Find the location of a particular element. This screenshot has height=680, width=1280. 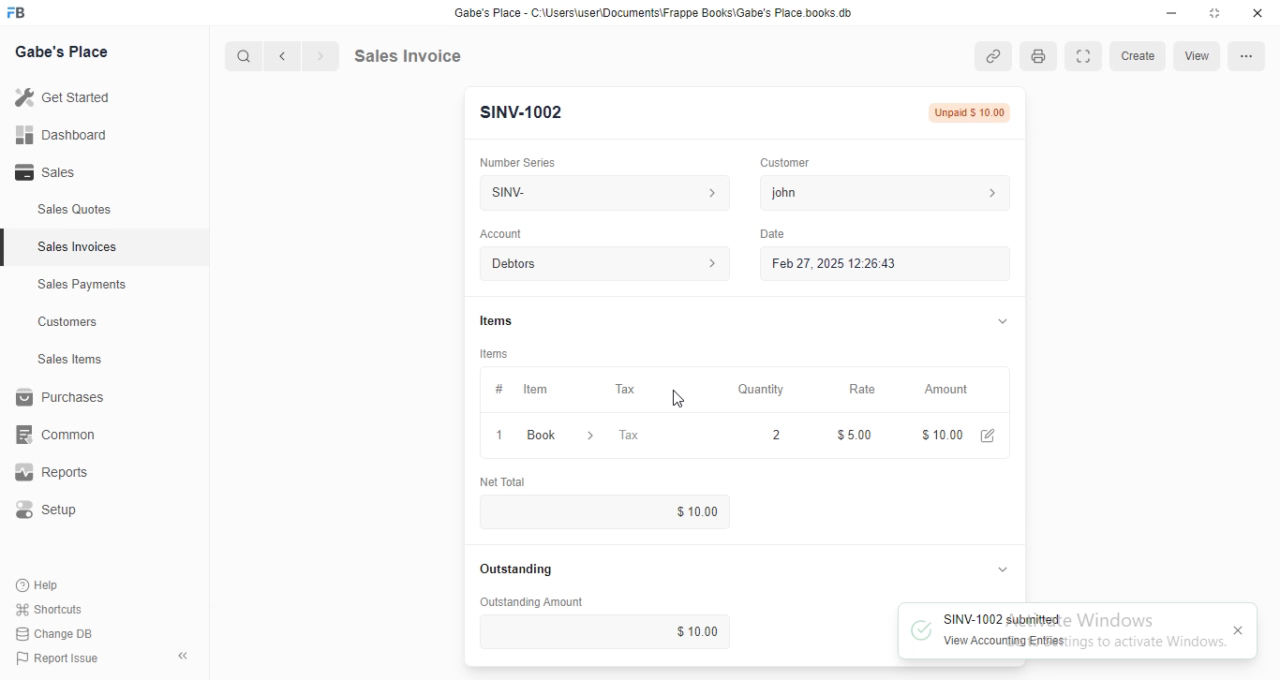

Expand is located at coordinates (1086, 57).